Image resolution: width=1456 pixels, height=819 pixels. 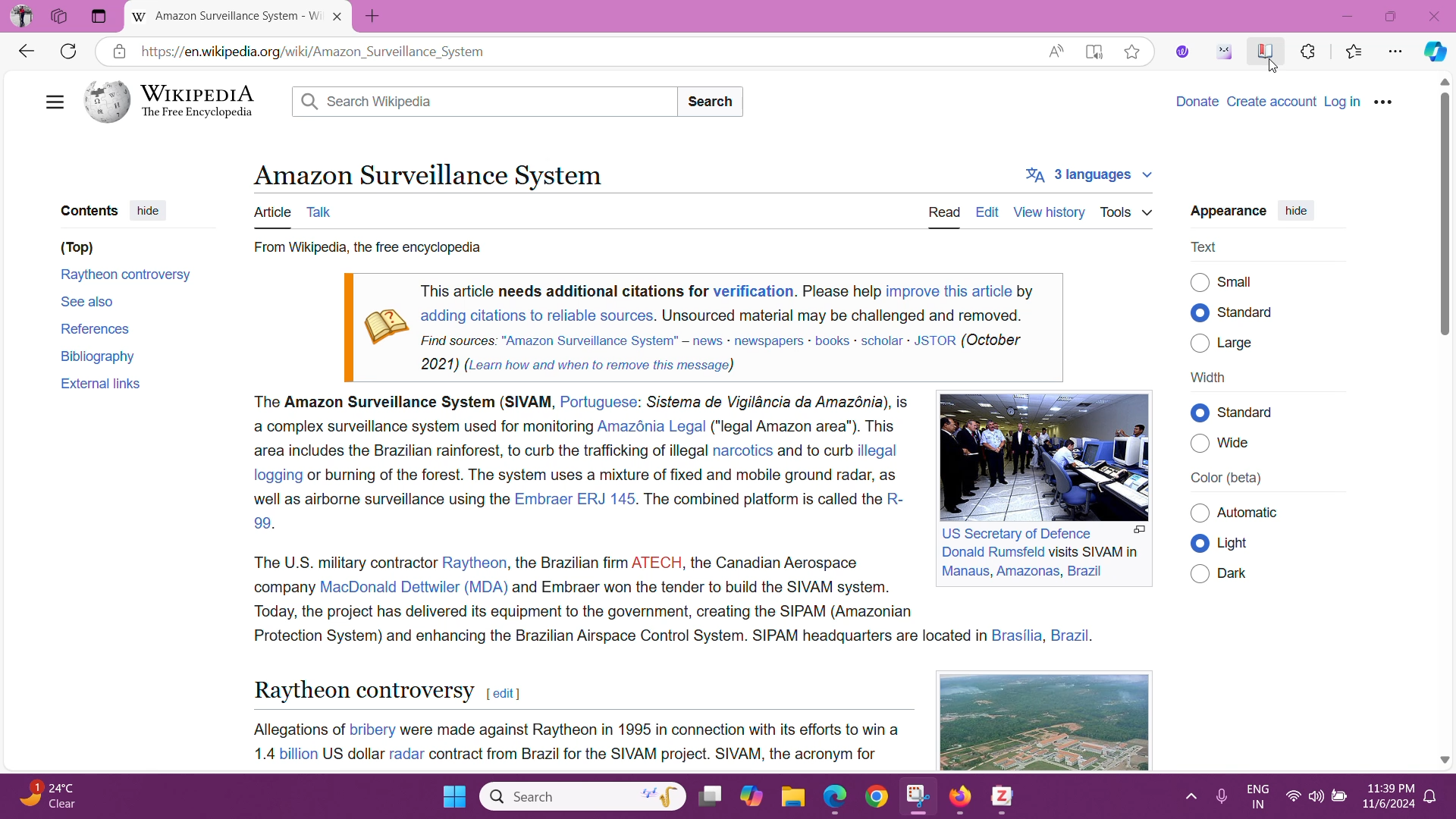 I want to click on (7) Small, so click(x=1239, y=281).